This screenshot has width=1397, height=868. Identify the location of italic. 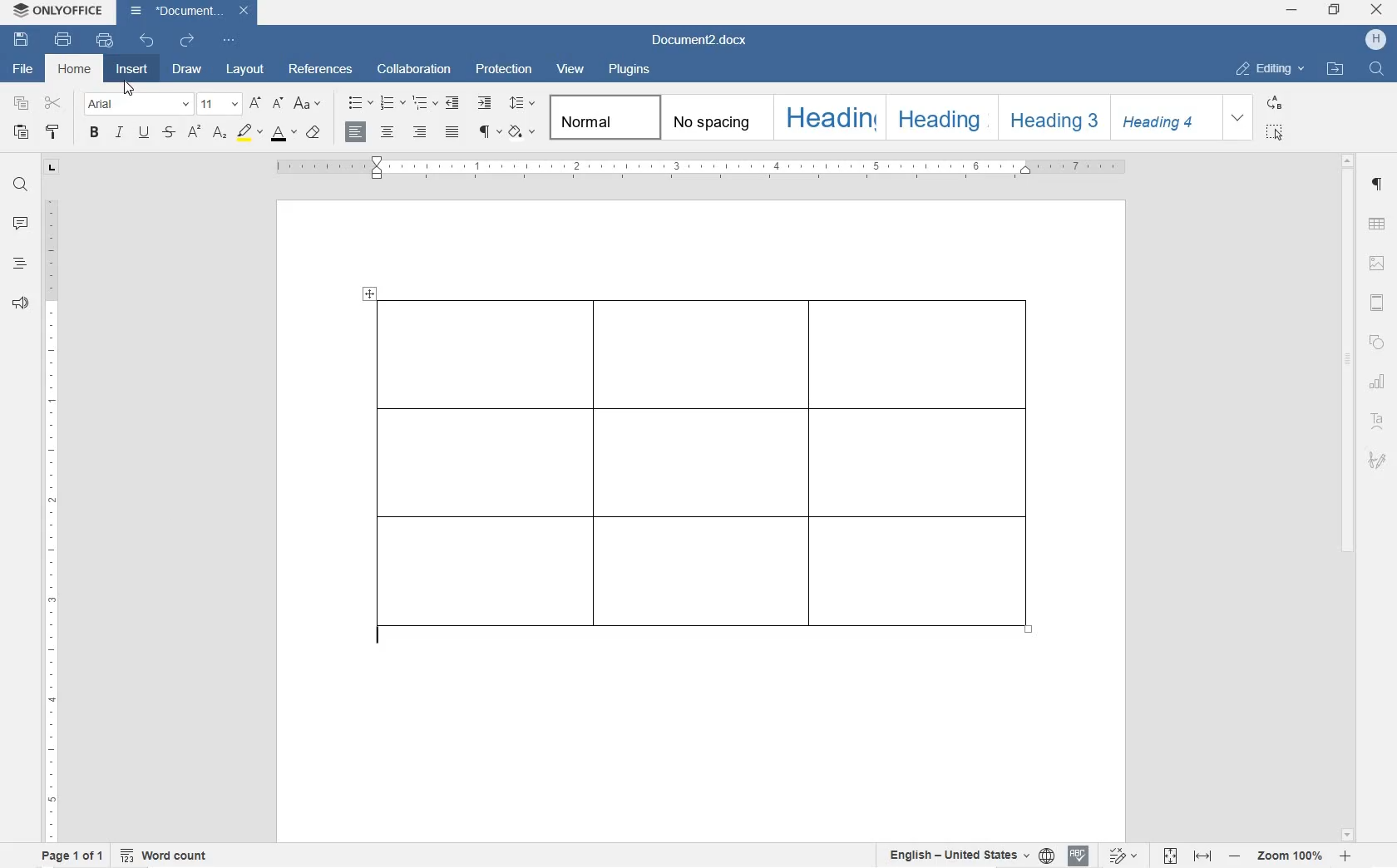
(119, 132).